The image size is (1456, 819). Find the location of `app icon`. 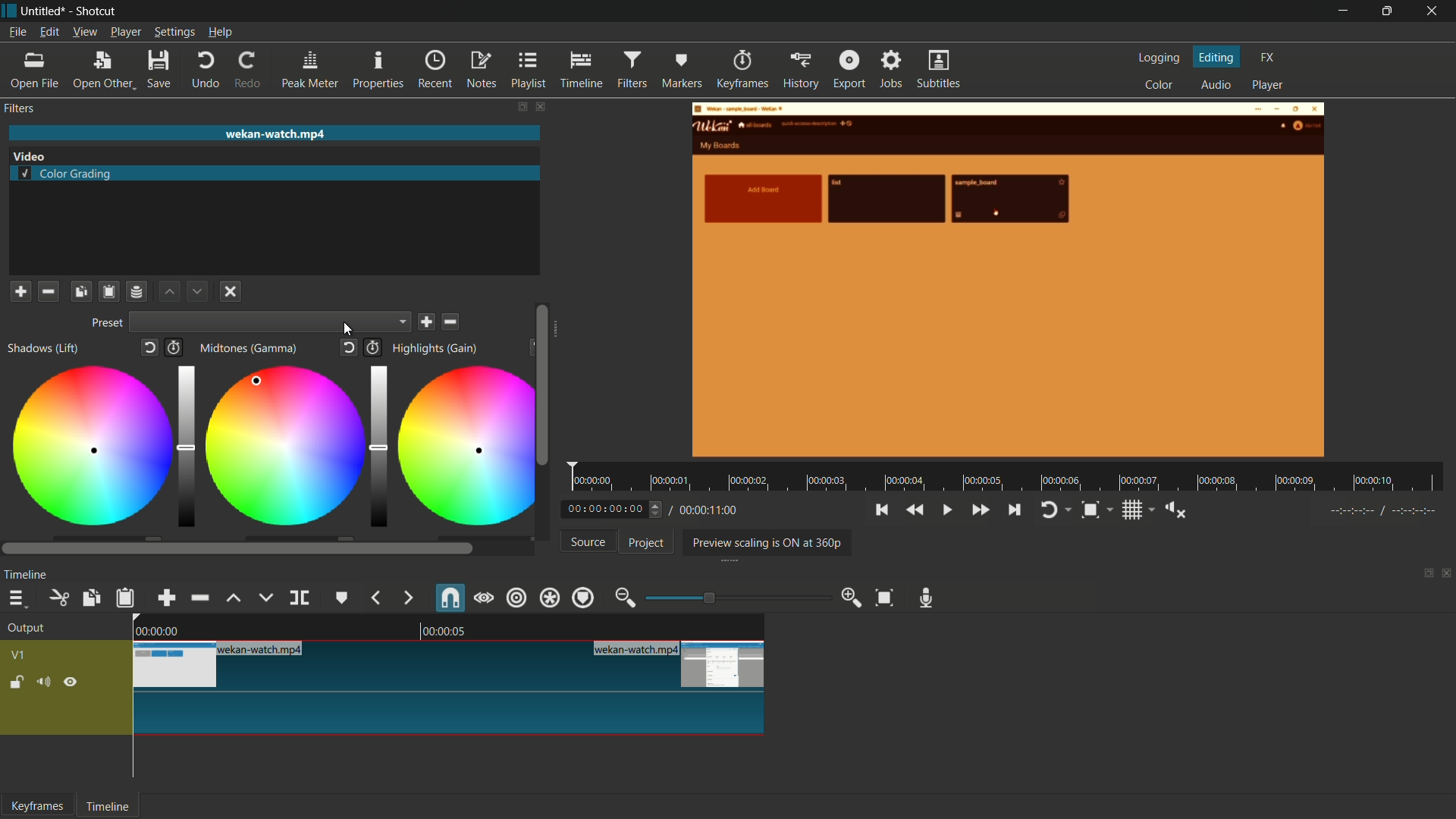

app icon is located at coordinates (9, 11).